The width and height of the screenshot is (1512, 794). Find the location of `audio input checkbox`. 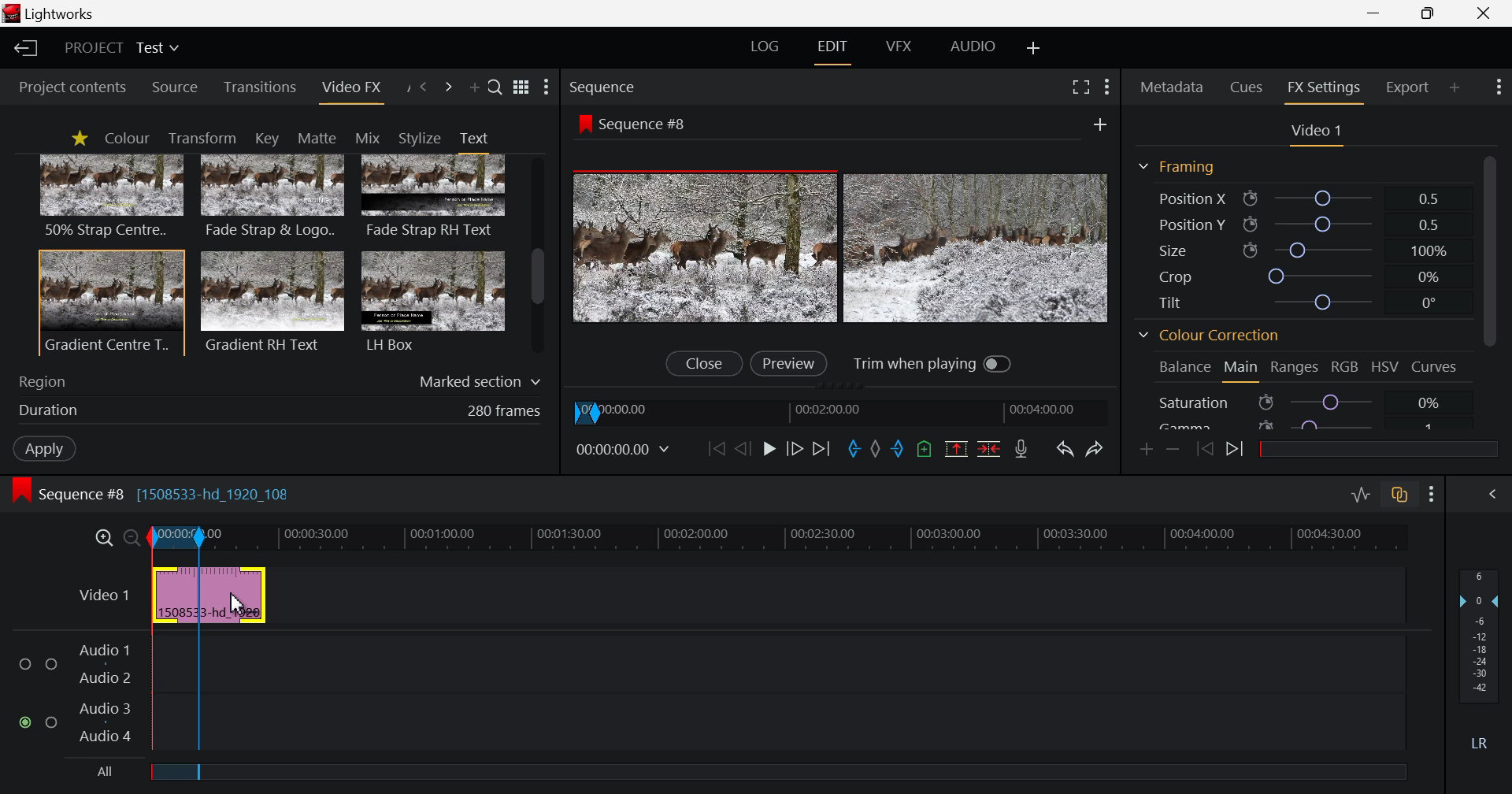

audio input checkbox is located at coordinates (34, 697).